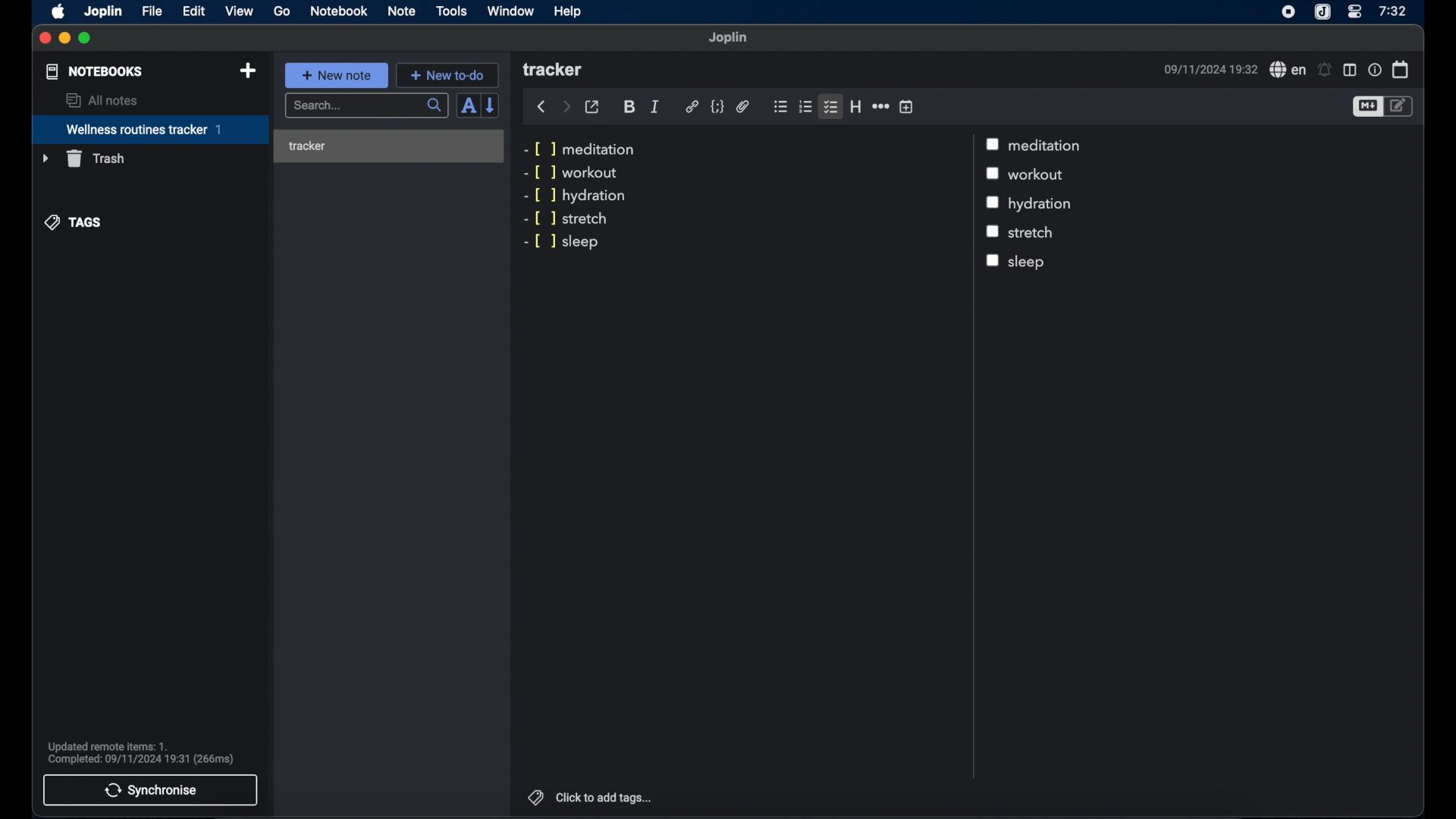 The width and height of the screenshot is (1456, 819). Describe the element at coordinates (59, 12) in the screenshot. I see `apple icon` at that location.